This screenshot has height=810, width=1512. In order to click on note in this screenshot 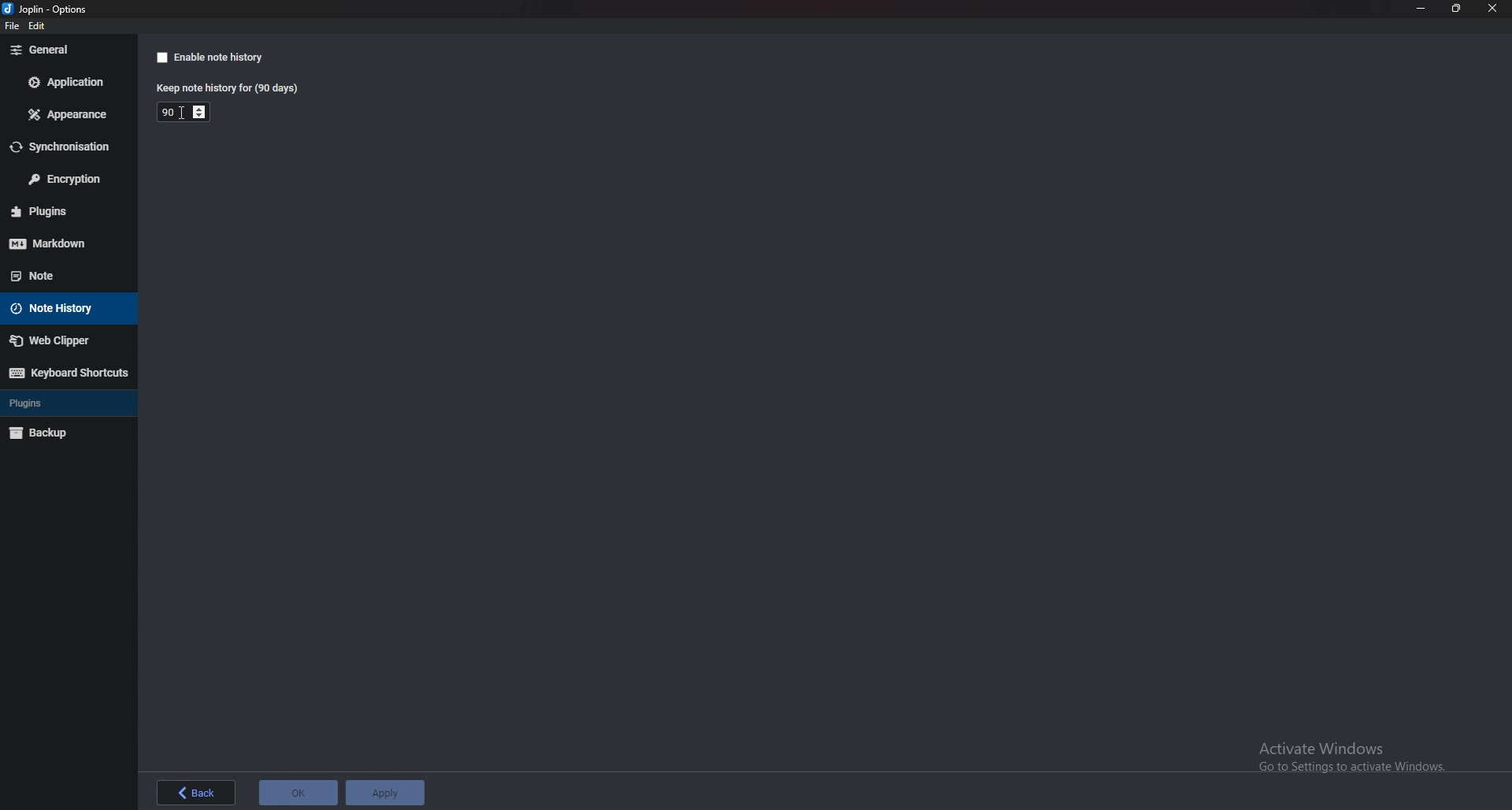, I will do `click(56, 275)`.